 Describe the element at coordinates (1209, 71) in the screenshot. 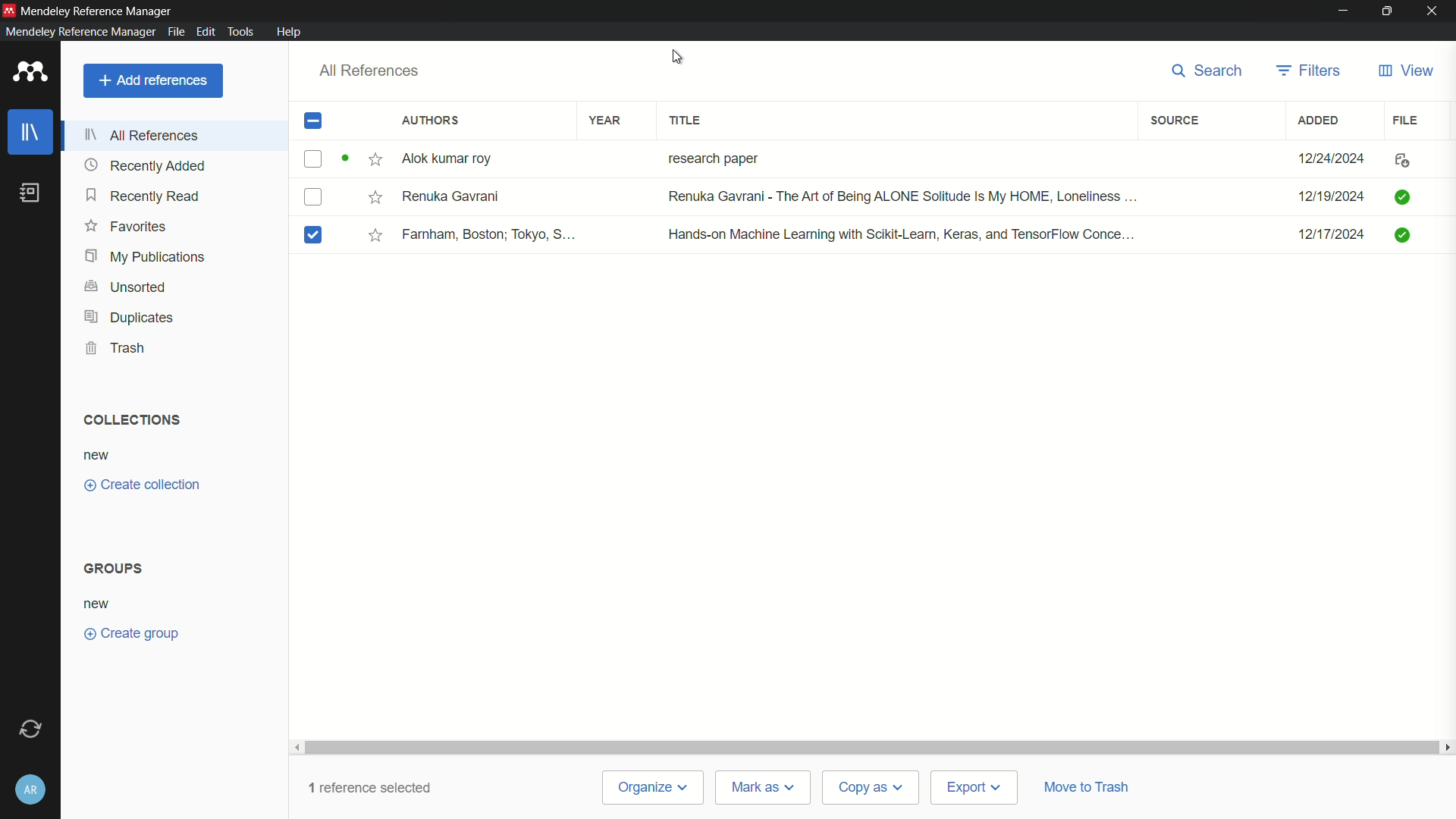

I see `search` at that location.